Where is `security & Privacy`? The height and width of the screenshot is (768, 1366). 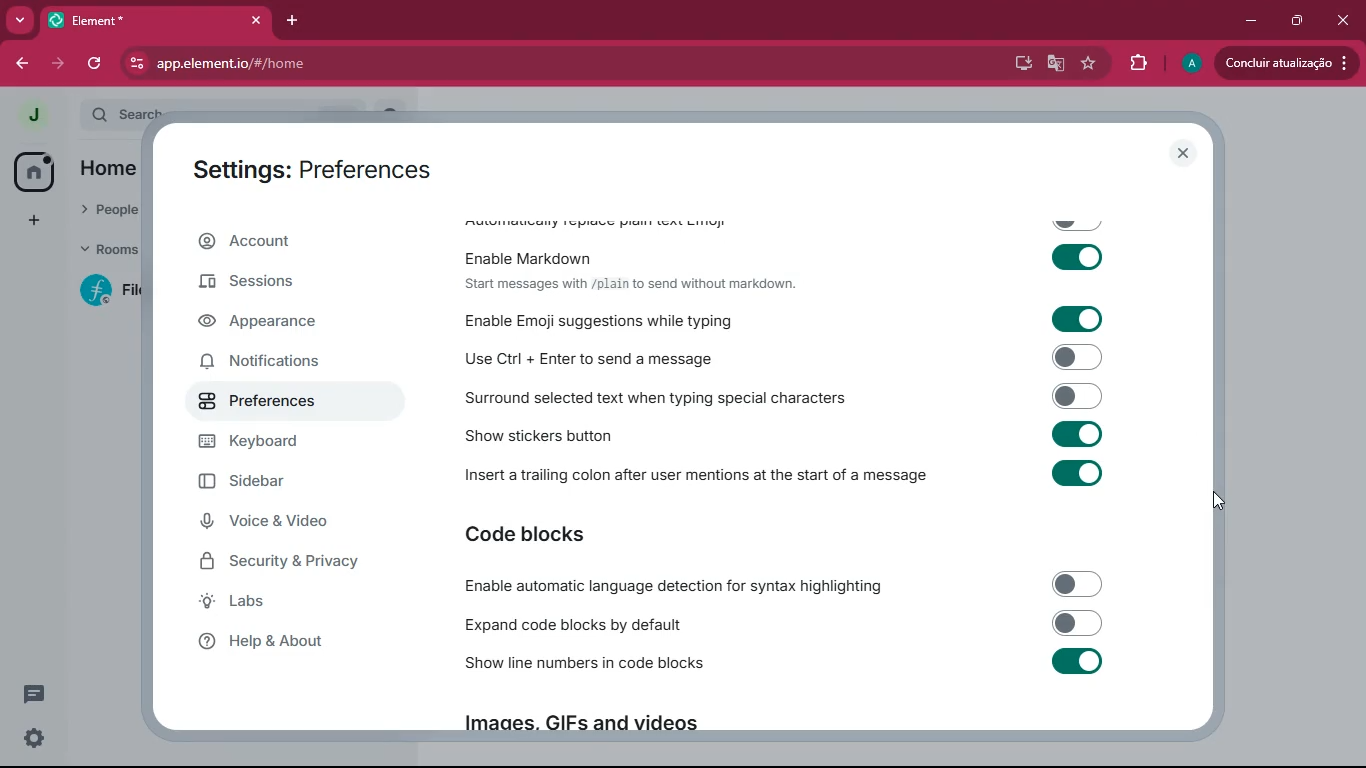
security & Privacy is located at coordinates (289, 563).